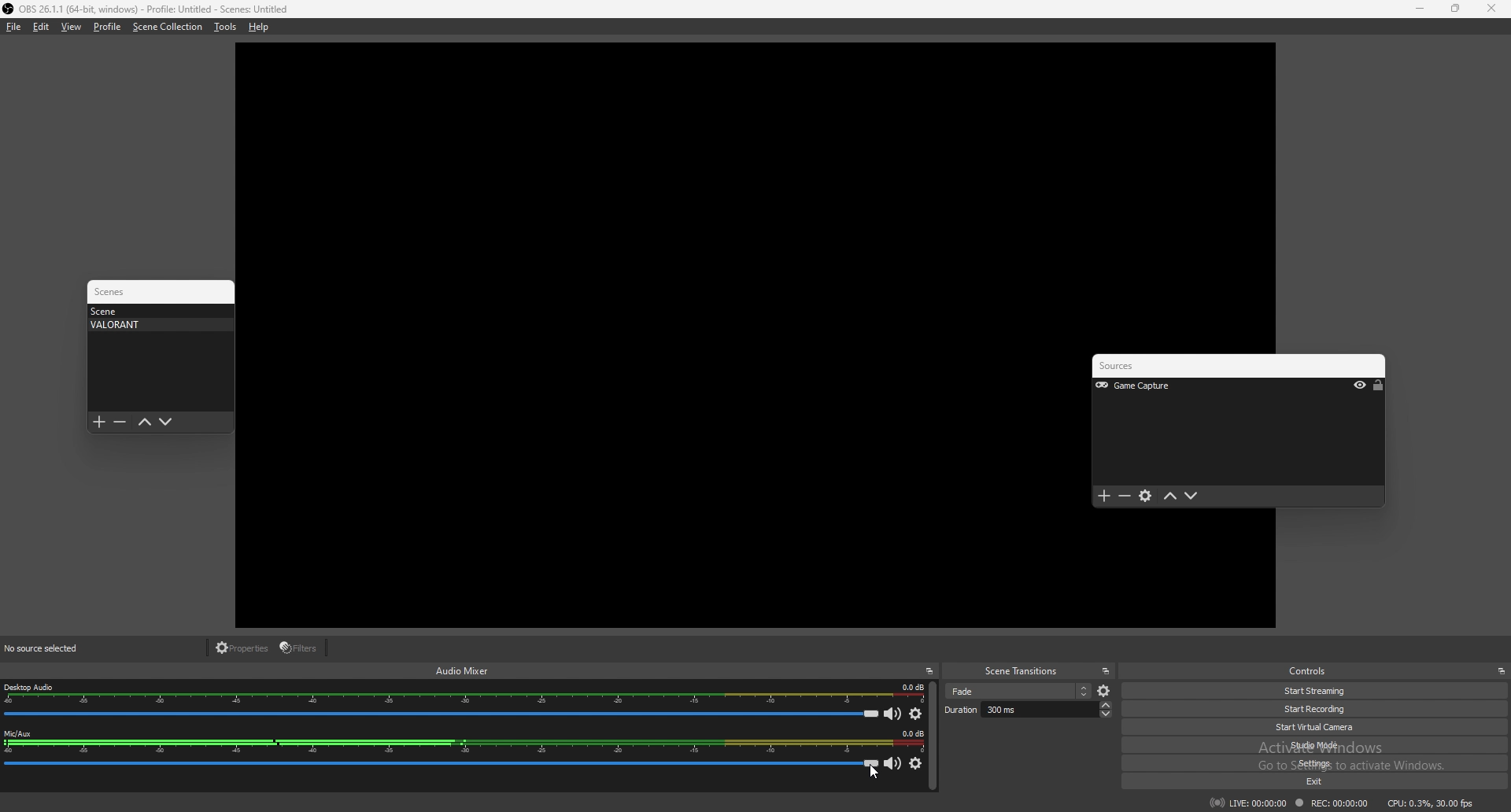  Describe the element at coordinates (874, 773) in the screenshot. I see `cursor` at that location.